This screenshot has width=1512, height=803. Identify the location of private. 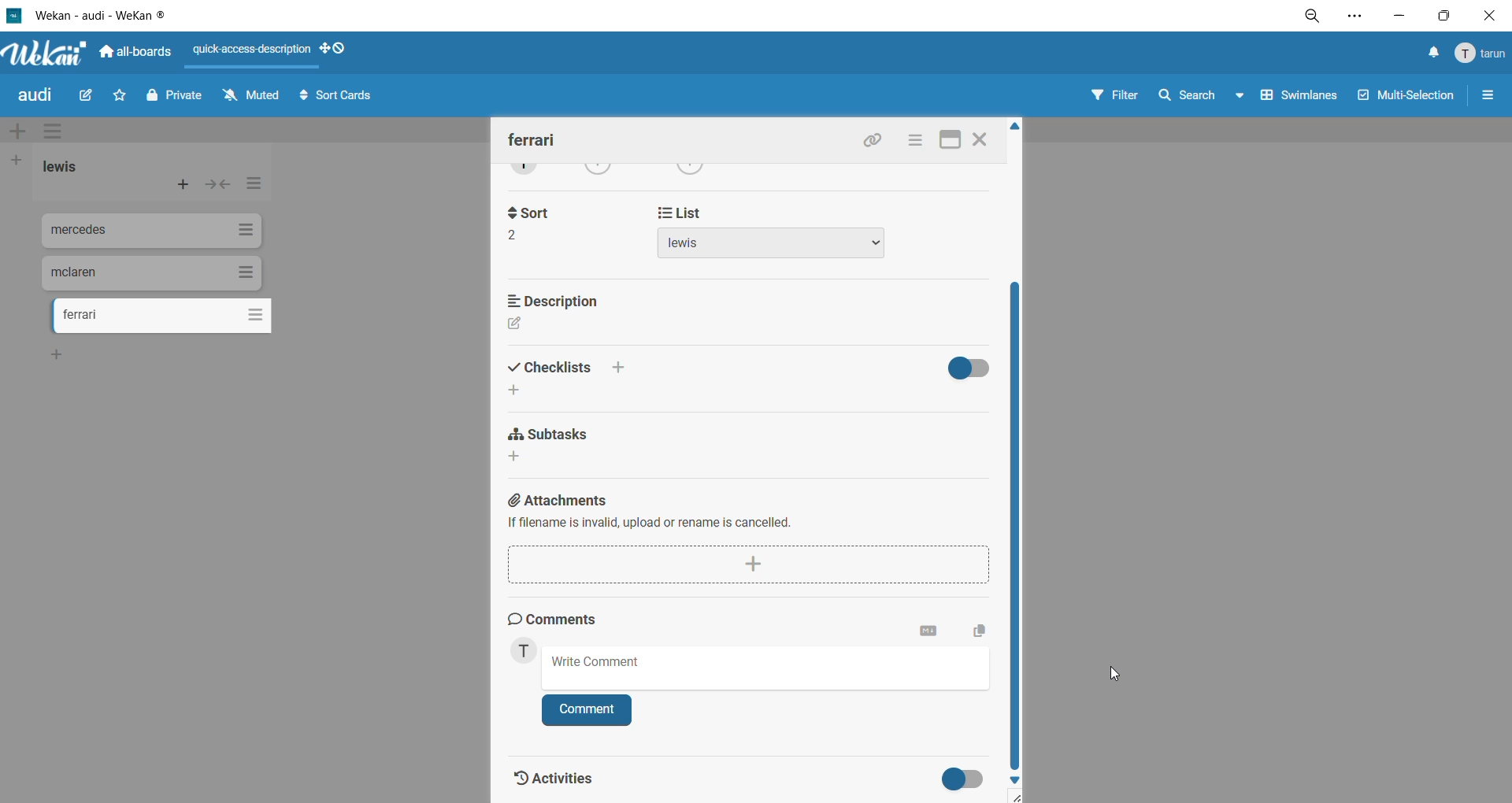
(174, 100).